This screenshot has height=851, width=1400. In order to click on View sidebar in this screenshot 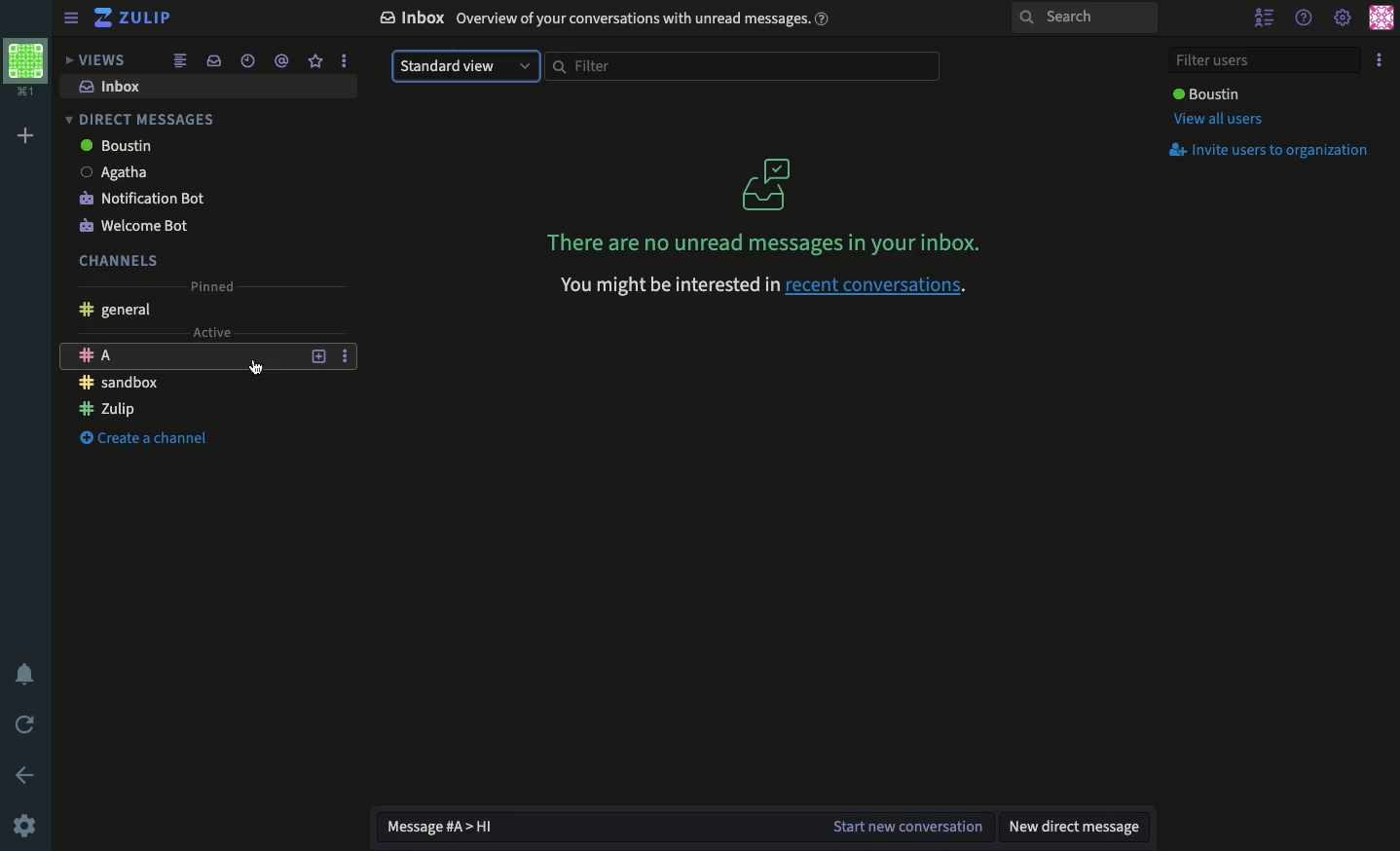, I will do `click(72, 20)`.